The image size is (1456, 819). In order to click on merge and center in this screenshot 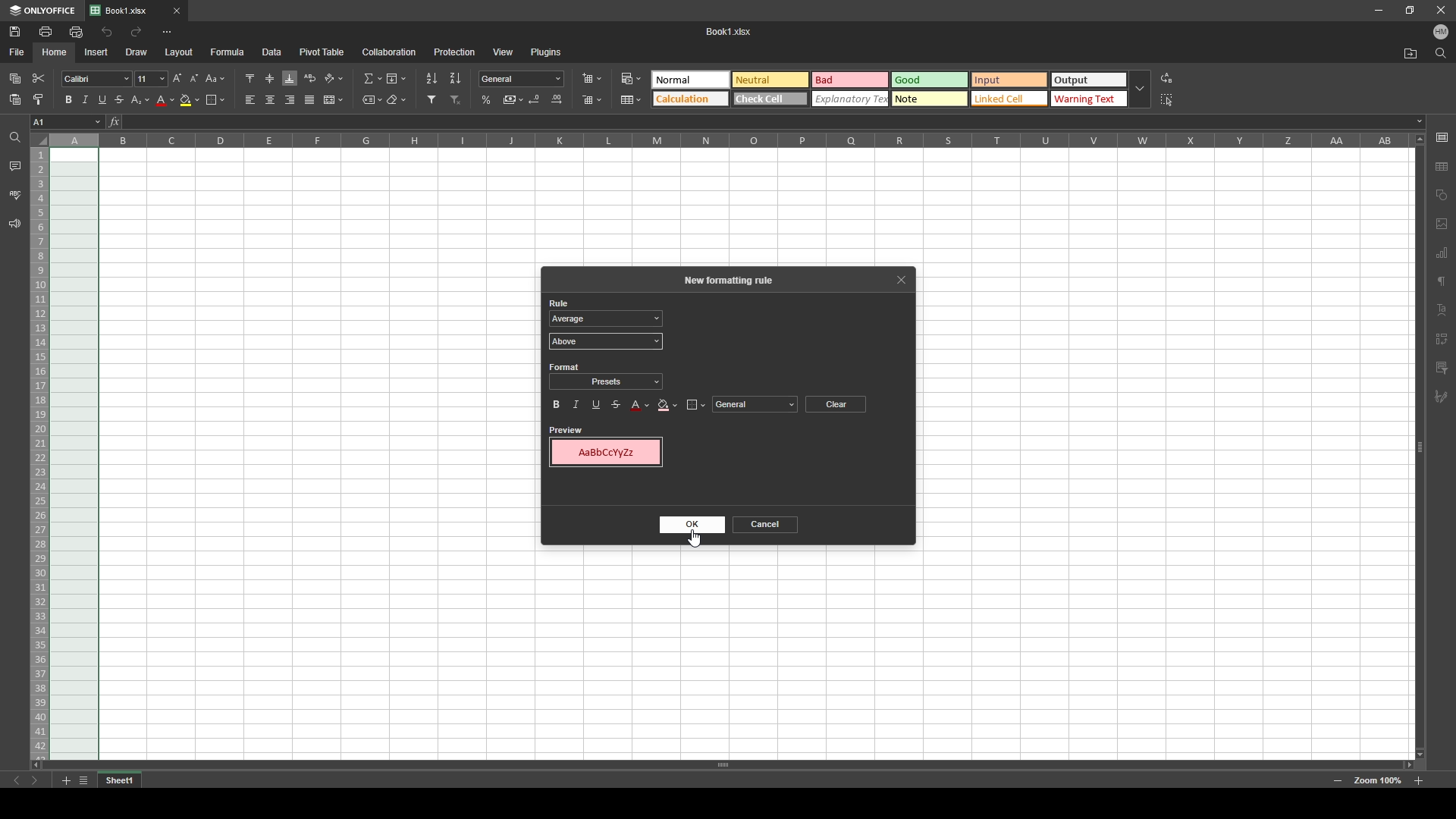, I will do `click(333, 99)`.